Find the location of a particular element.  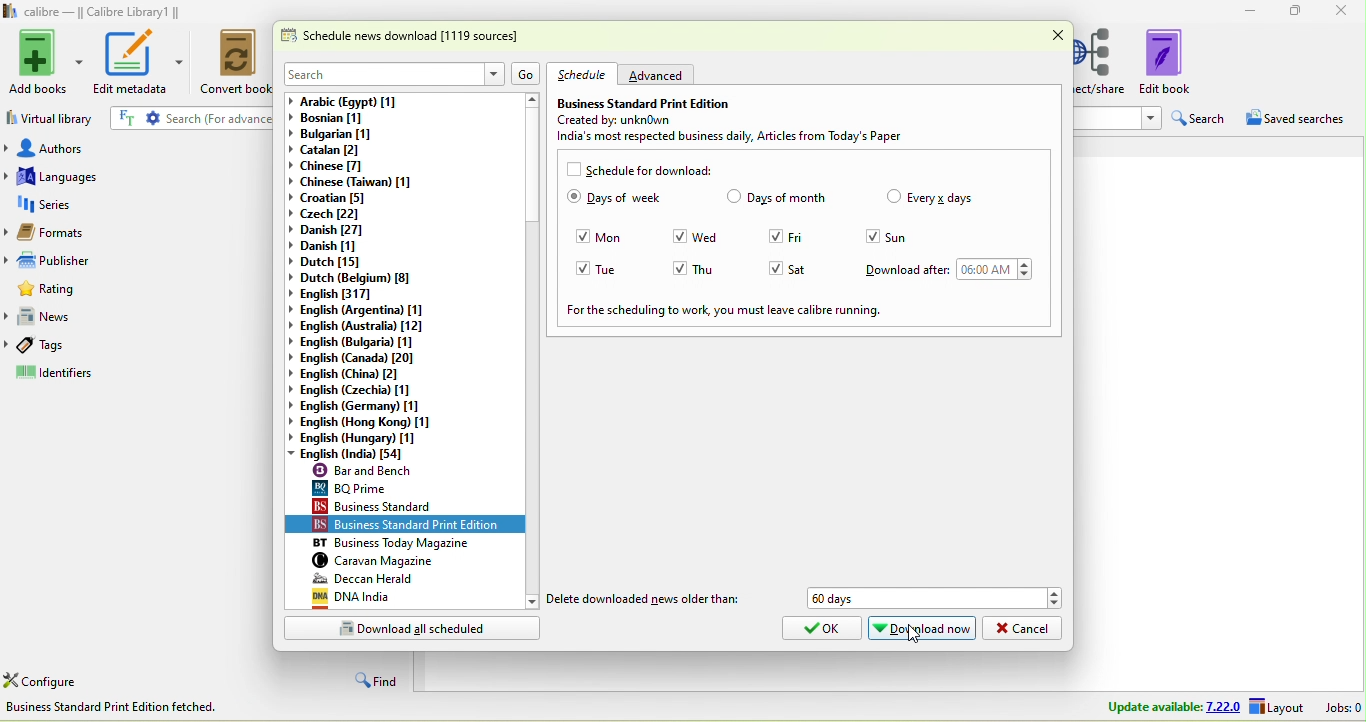

english (bulgaria)[1] is located at coordinates (364, 342).